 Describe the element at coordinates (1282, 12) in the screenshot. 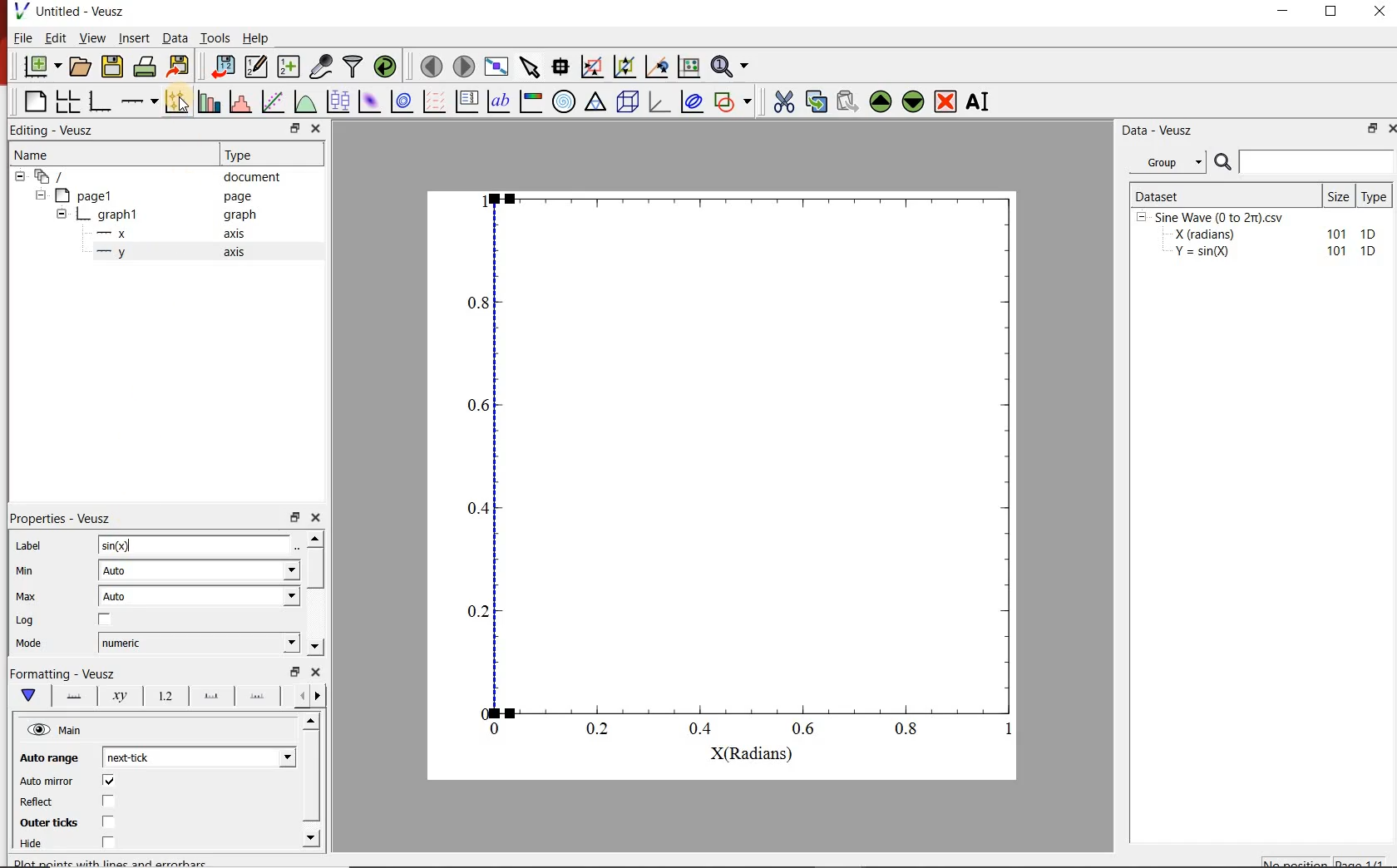

I see `Minimize` at that location.